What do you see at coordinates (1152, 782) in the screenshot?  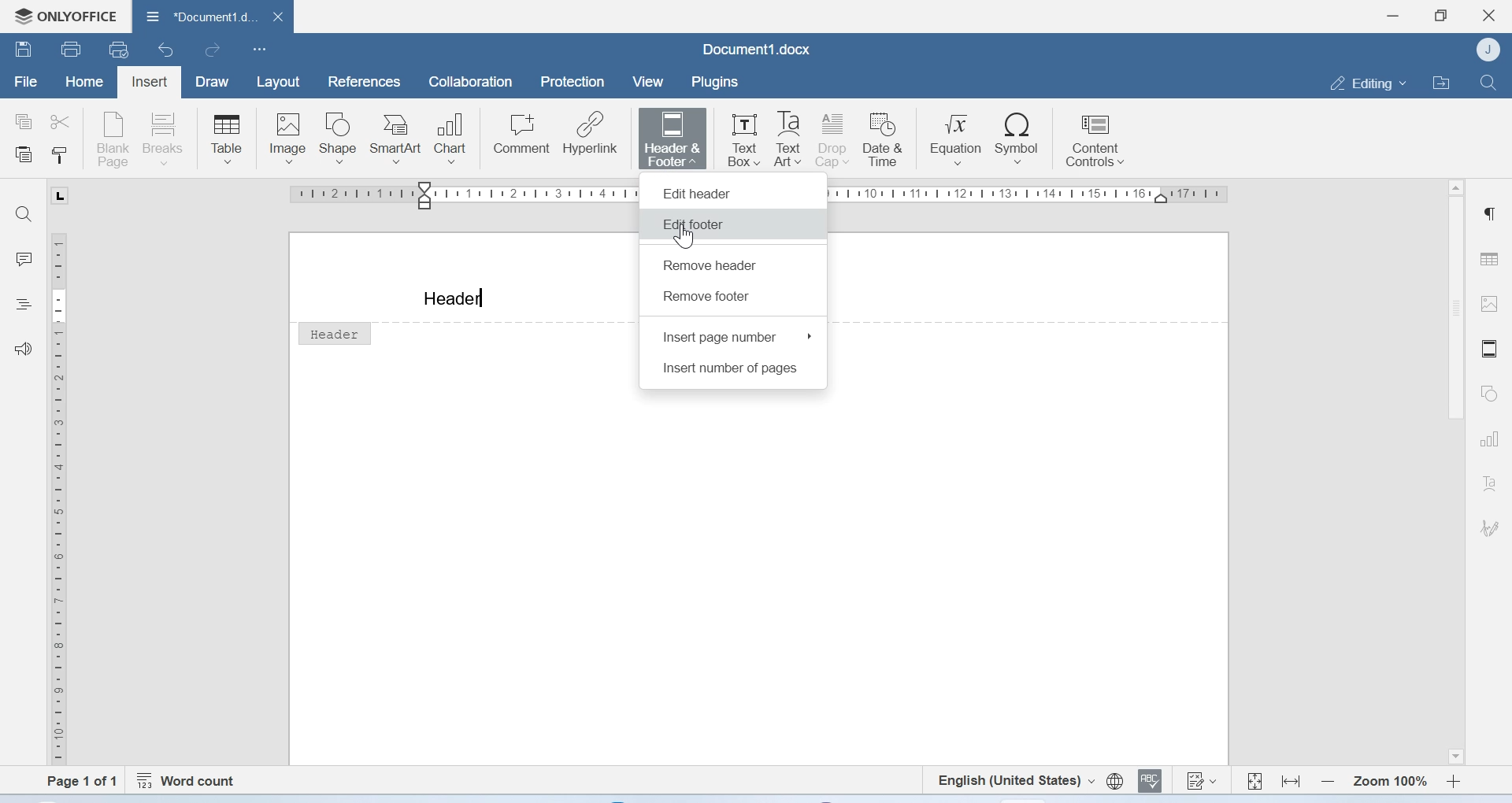 I see `Spell checking` at bounding box center [1152, 782].